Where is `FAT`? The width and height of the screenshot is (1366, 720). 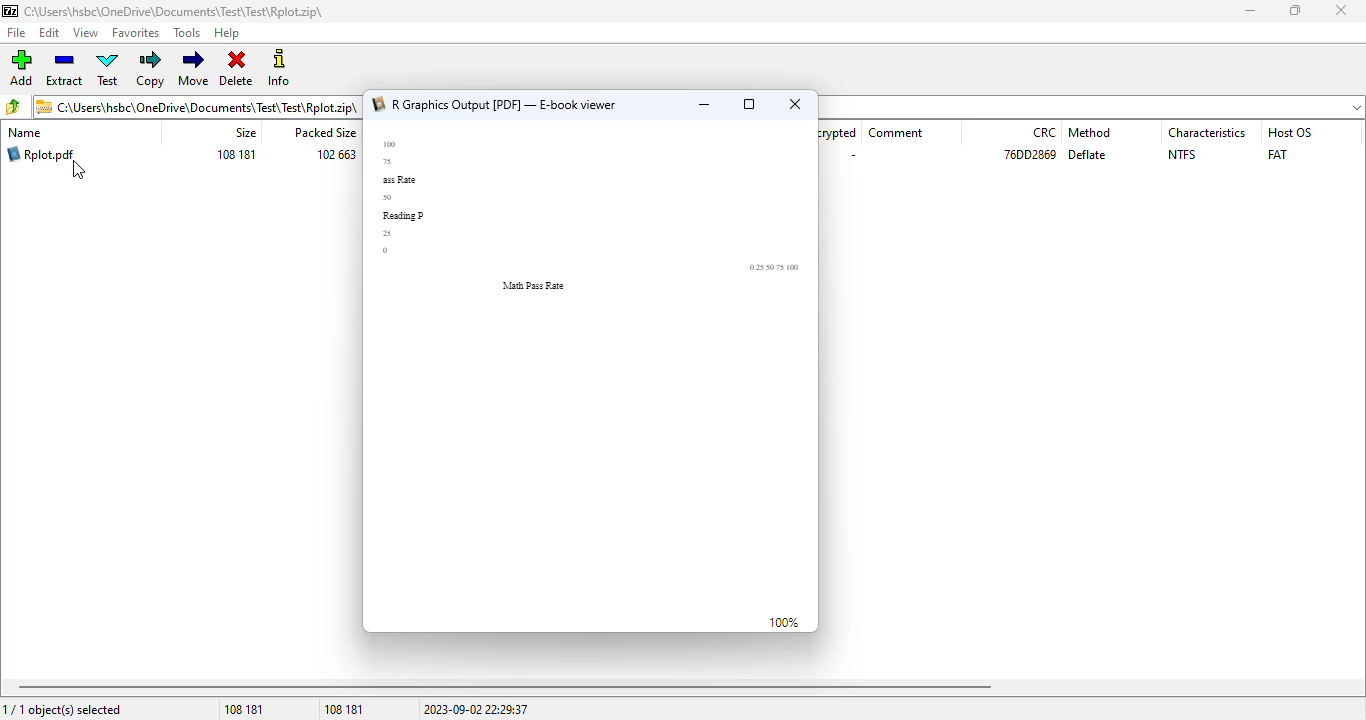 FAT is located at coordinates (1277, 154).